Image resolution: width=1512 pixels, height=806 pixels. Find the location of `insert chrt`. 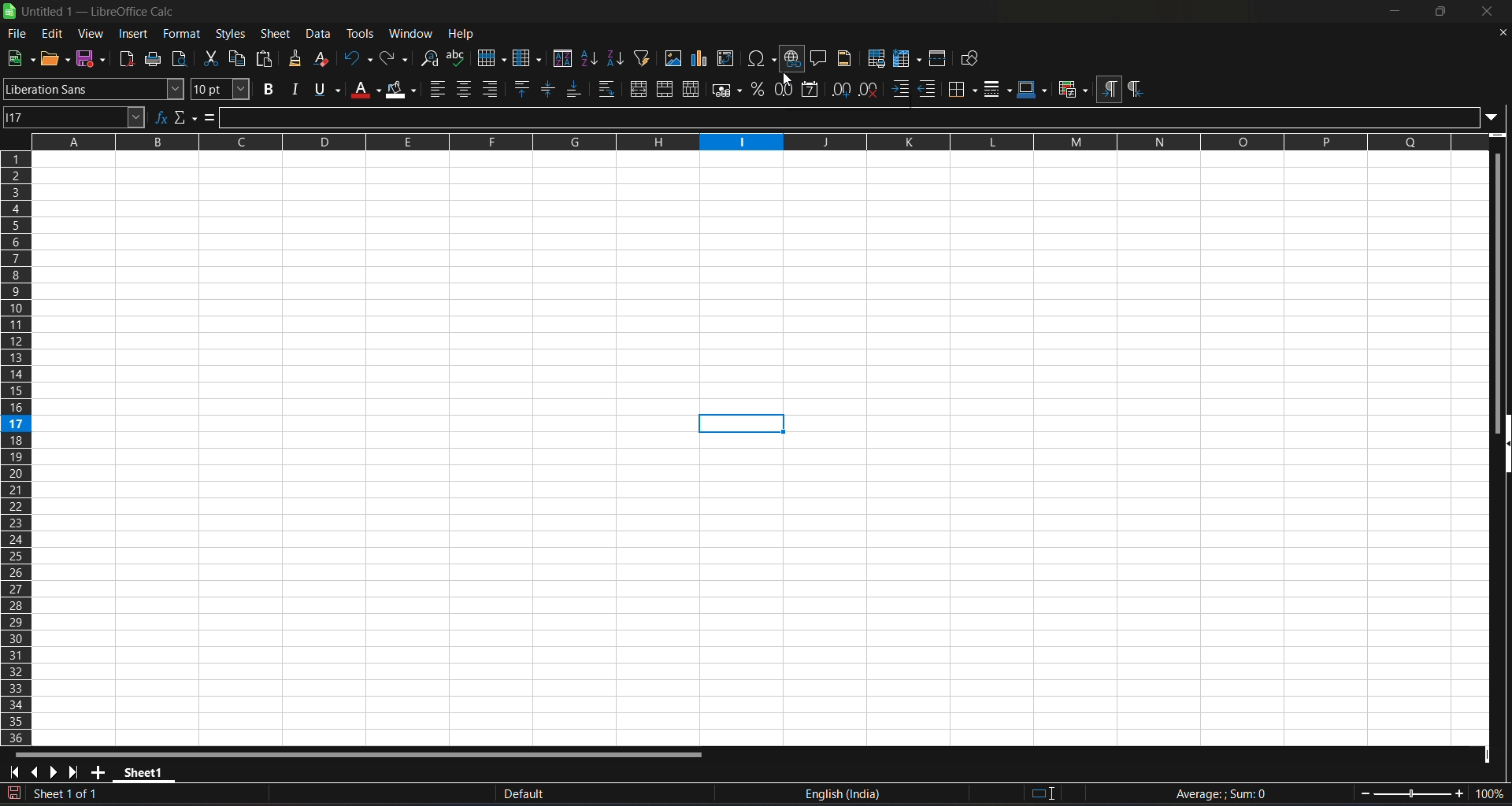

insert chrt is located at coordinates (703, 58).